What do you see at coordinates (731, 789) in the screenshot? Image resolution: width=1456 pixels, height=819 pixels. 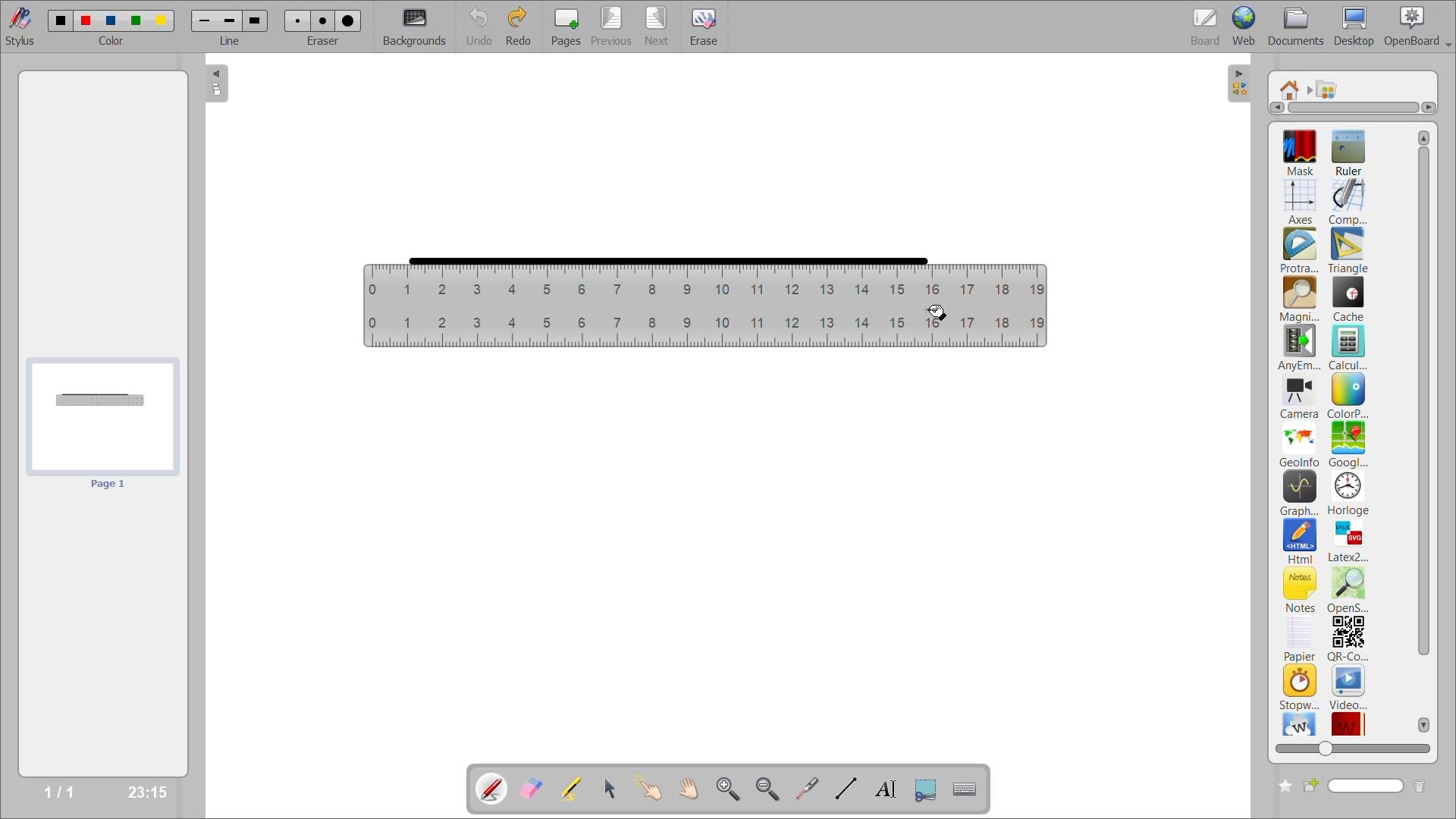 I see `zoom in` at bounding box center [731, 789].